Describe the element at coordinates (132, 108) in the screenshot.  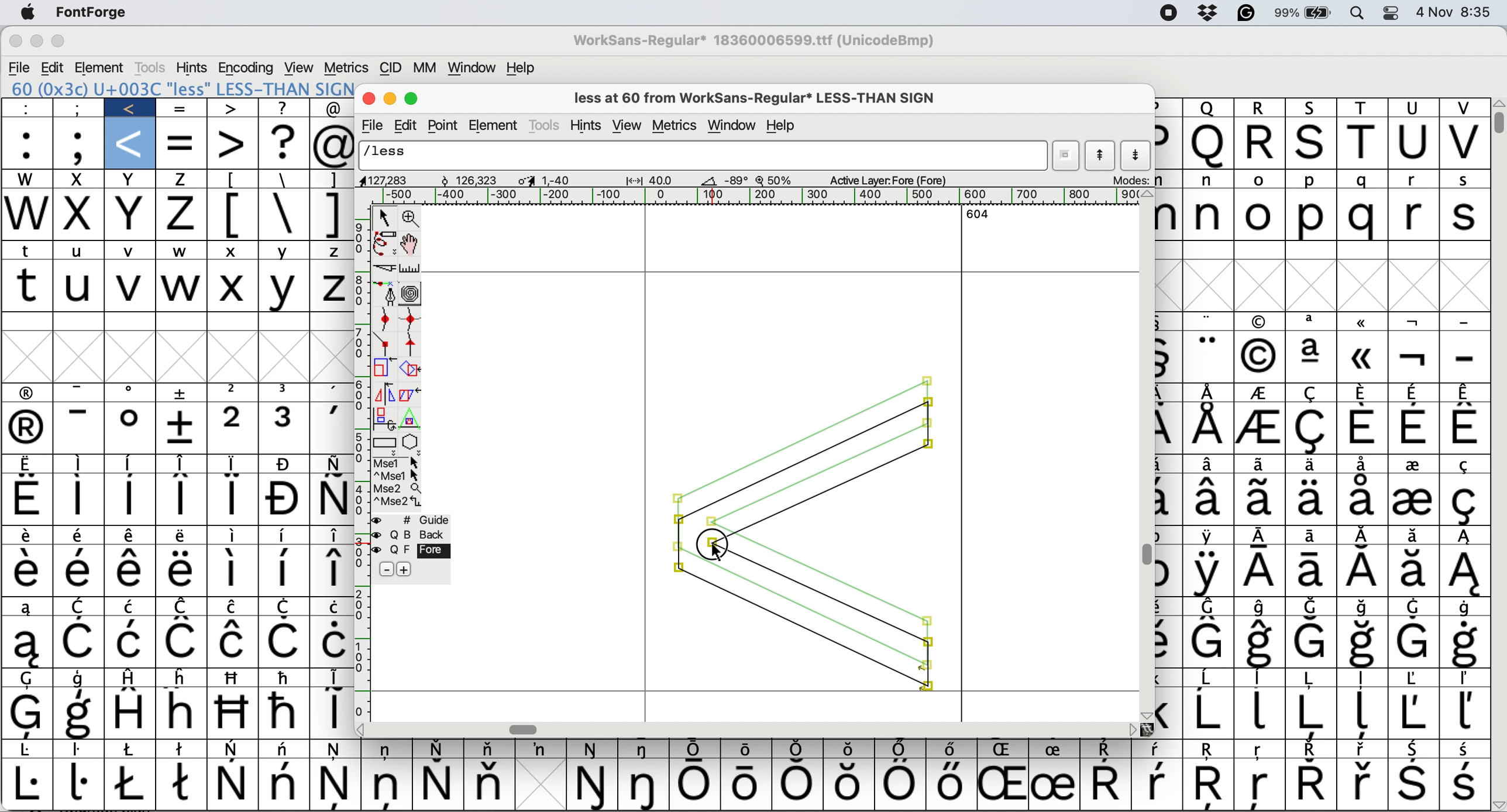
I see `<` at that location.